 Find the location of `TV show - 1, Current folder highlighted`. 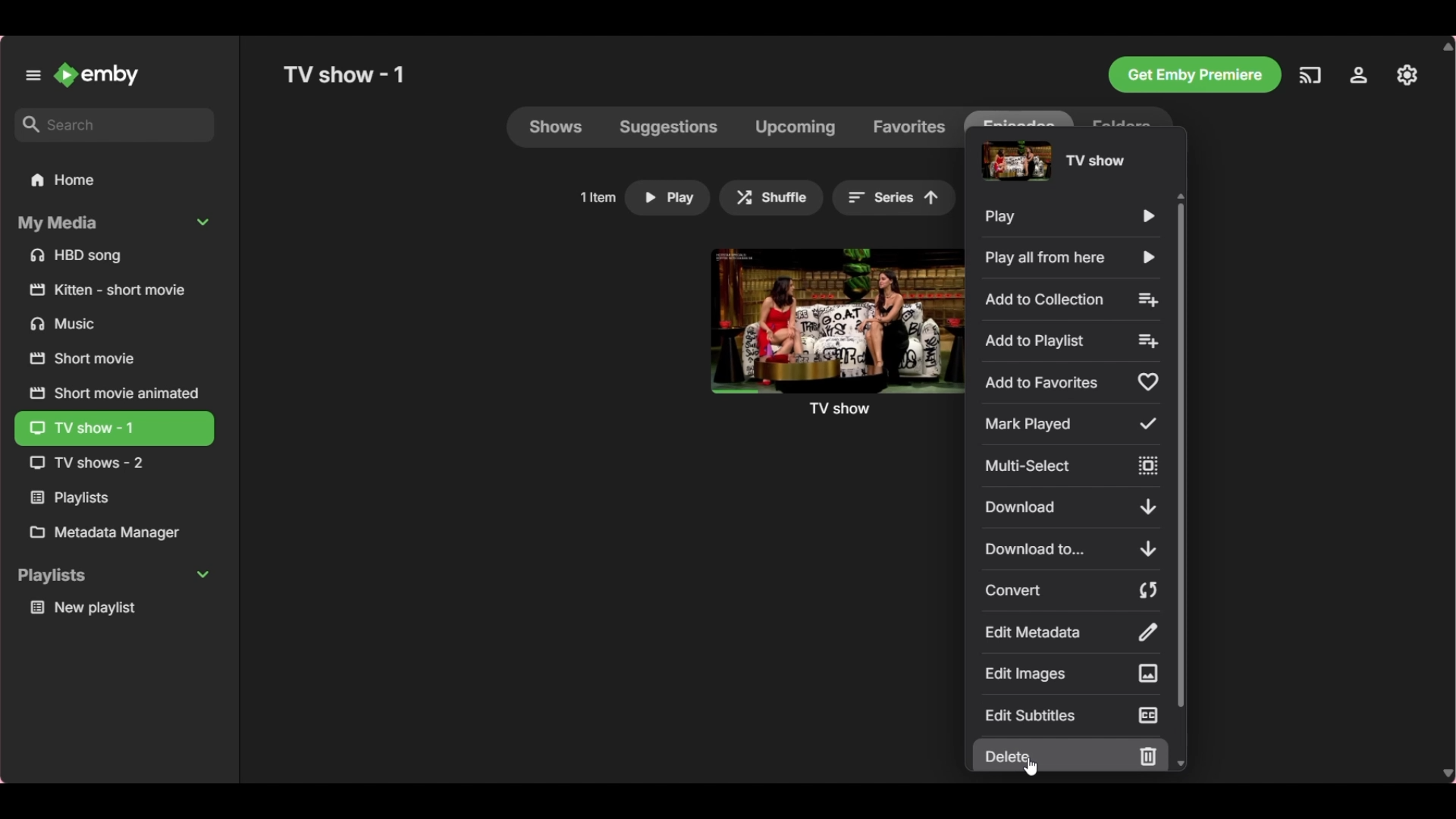

TV show - 1, Current folder highlighted is located at coordinates (114, 429).